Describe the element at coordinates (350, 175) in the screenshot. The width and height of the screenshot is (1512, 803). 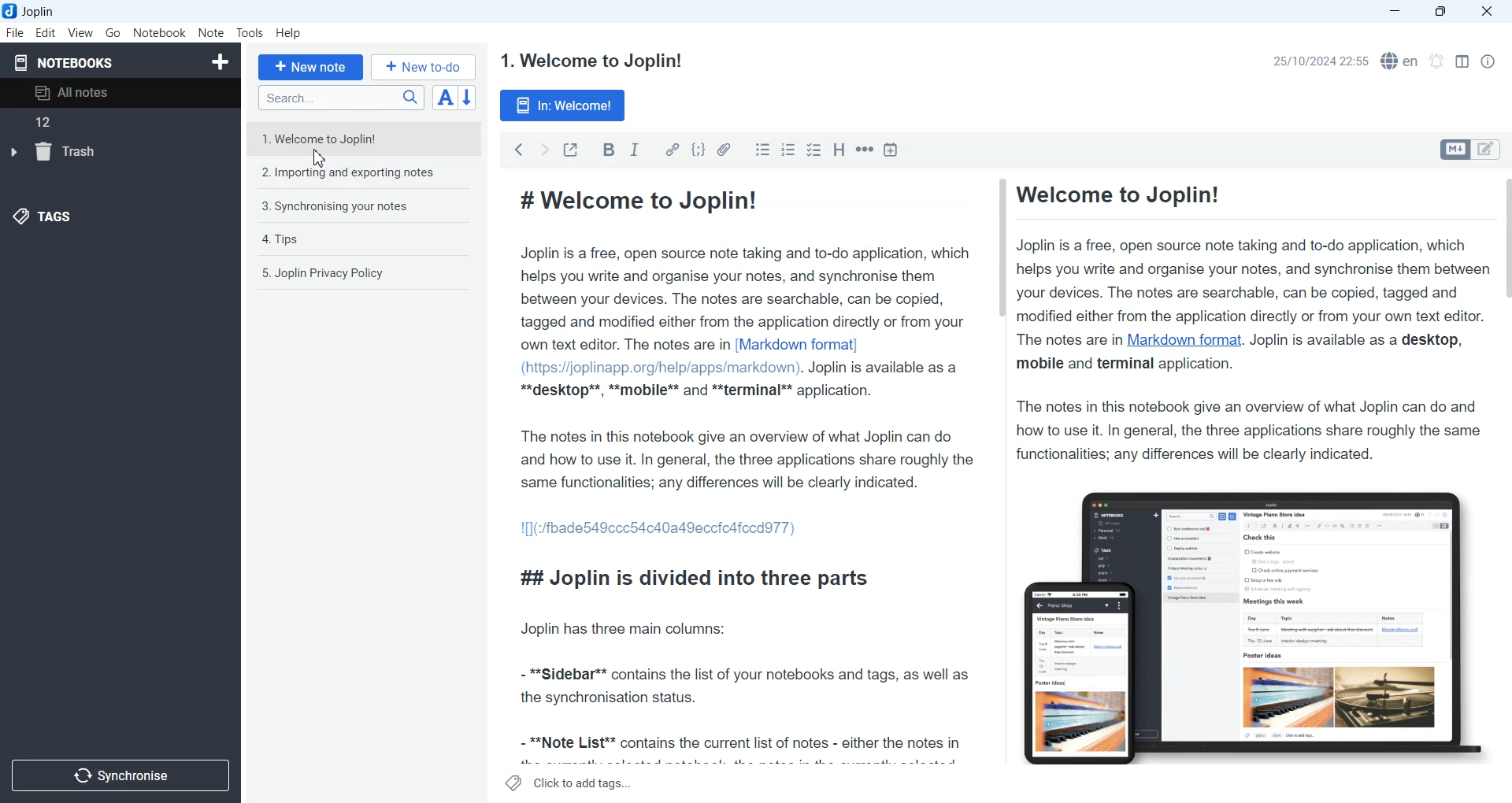
I see `2. Importing and exporting notes` at that location.